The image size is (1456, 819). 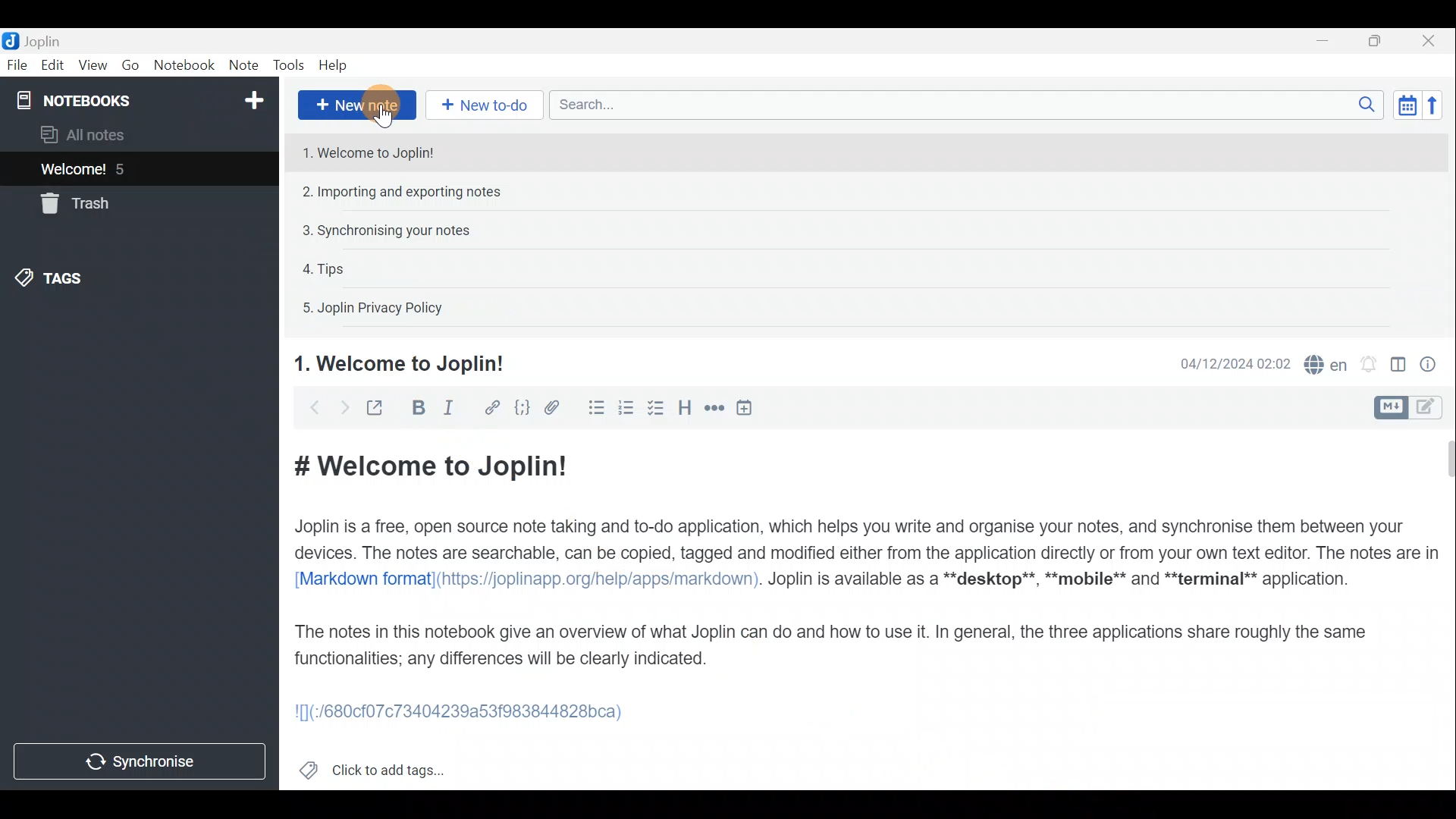 What do you see at coordinates (1404, 105) in the screenshot?
I see `Toggle sort order` at bounding box center [1404, 105].